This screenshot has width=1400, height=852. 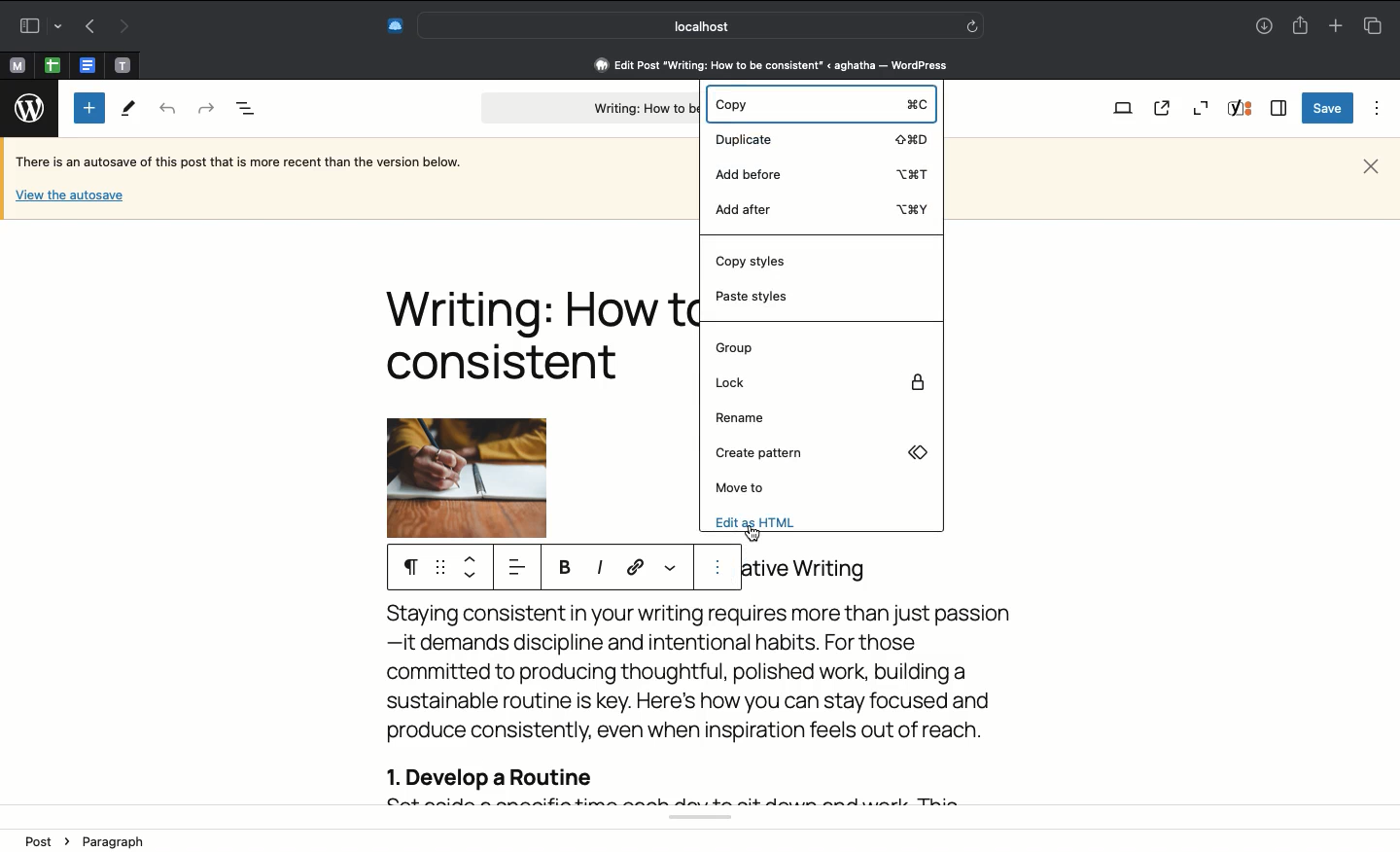 I want to click on Body, so click(x=713, y=704).